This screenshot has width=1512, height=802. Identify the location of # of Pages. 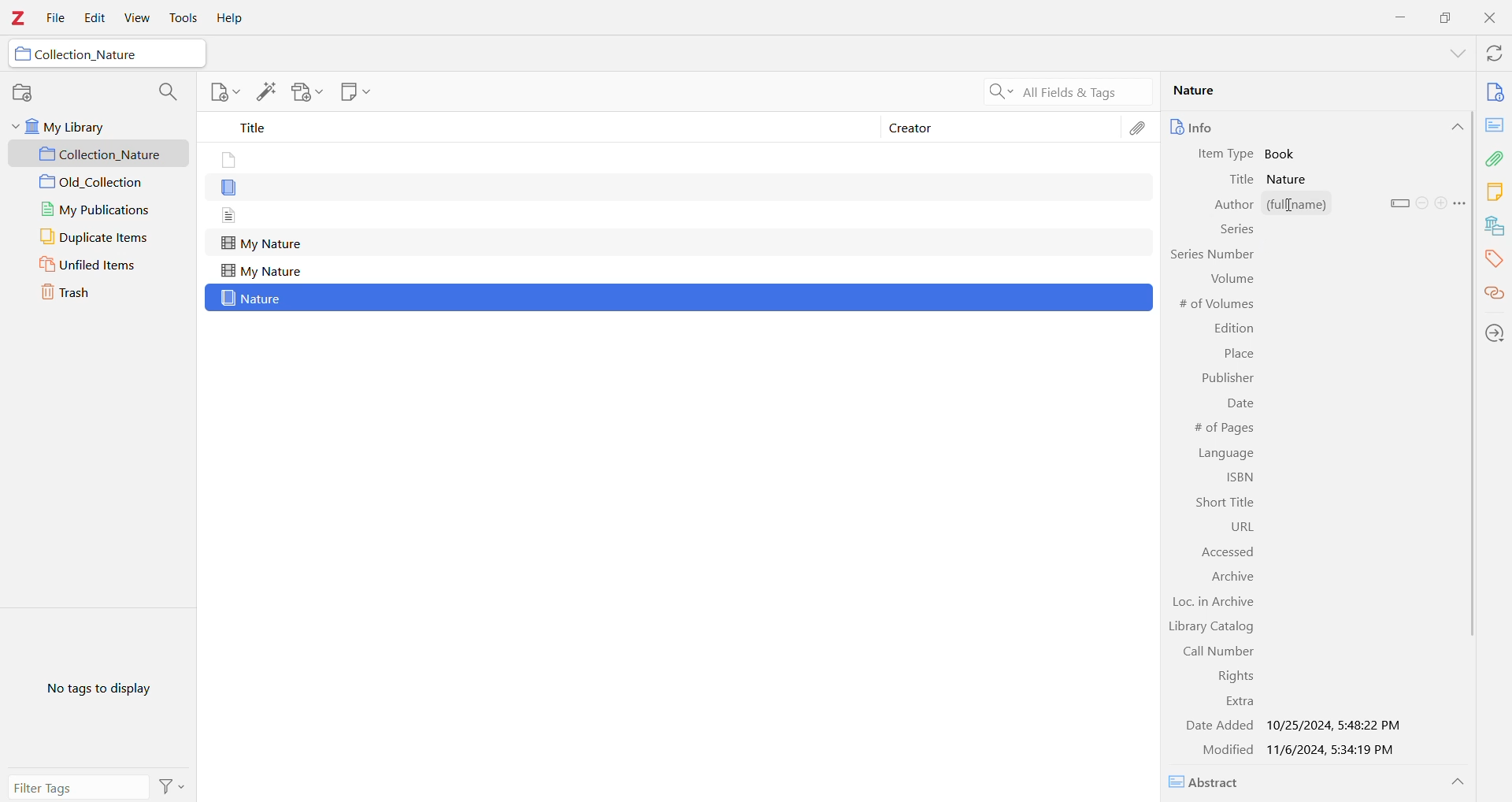
(1221, 428).